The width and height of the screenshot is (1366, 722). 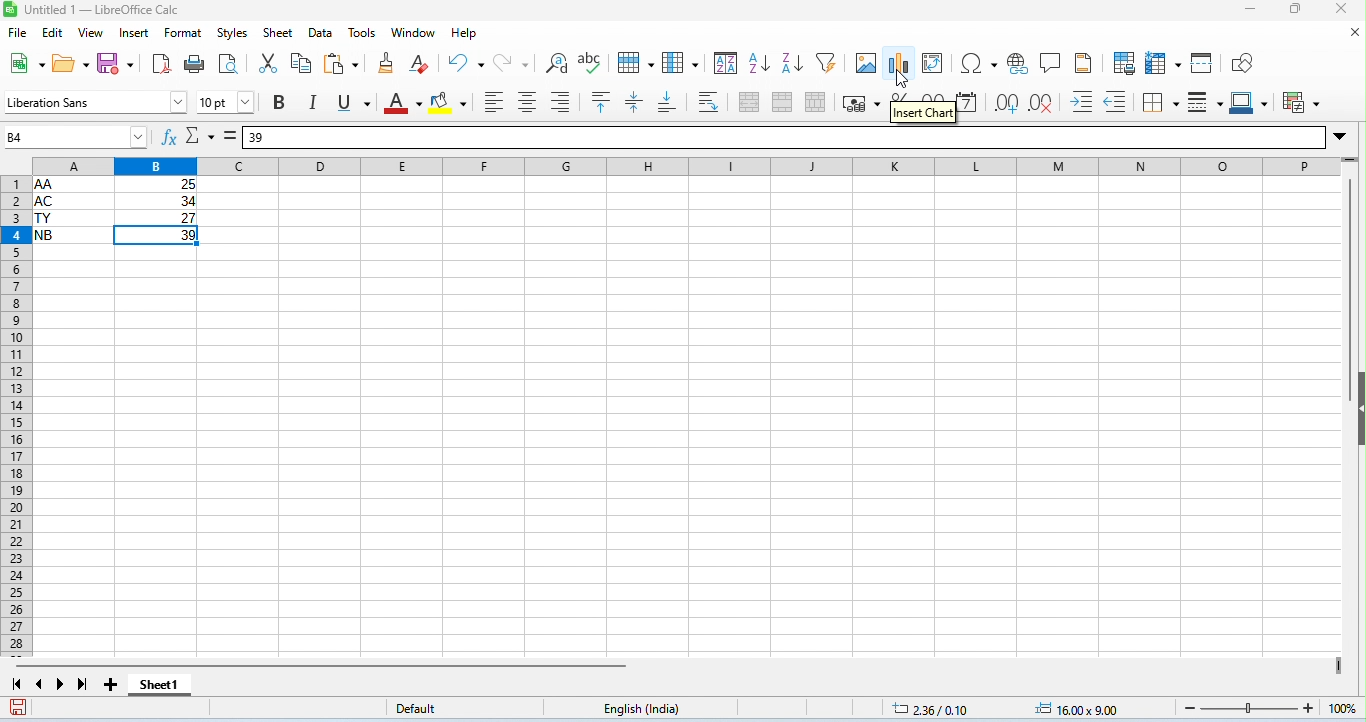 I want to click on style, so click(x=232, y=33).